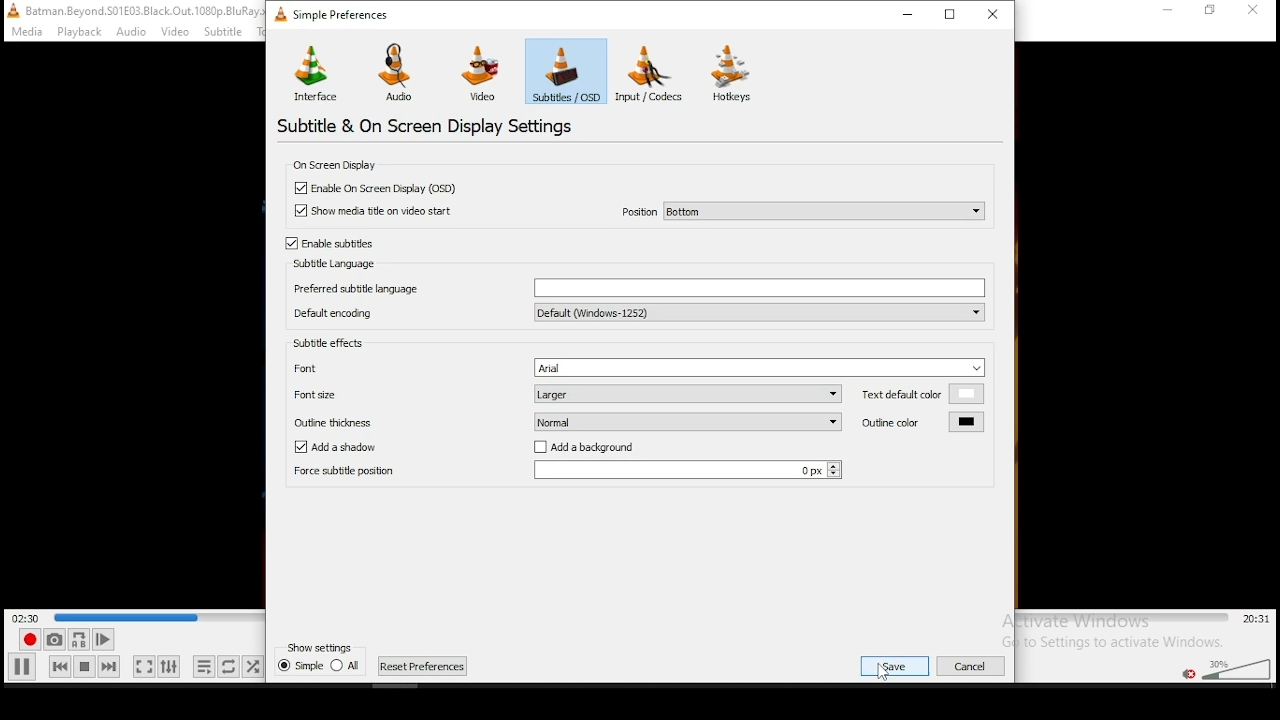 This screenshot has width=1280, height=720. Describe the element at coordinates (637, 288) in the screenshot. I see `preferred subtitle language` at that location.